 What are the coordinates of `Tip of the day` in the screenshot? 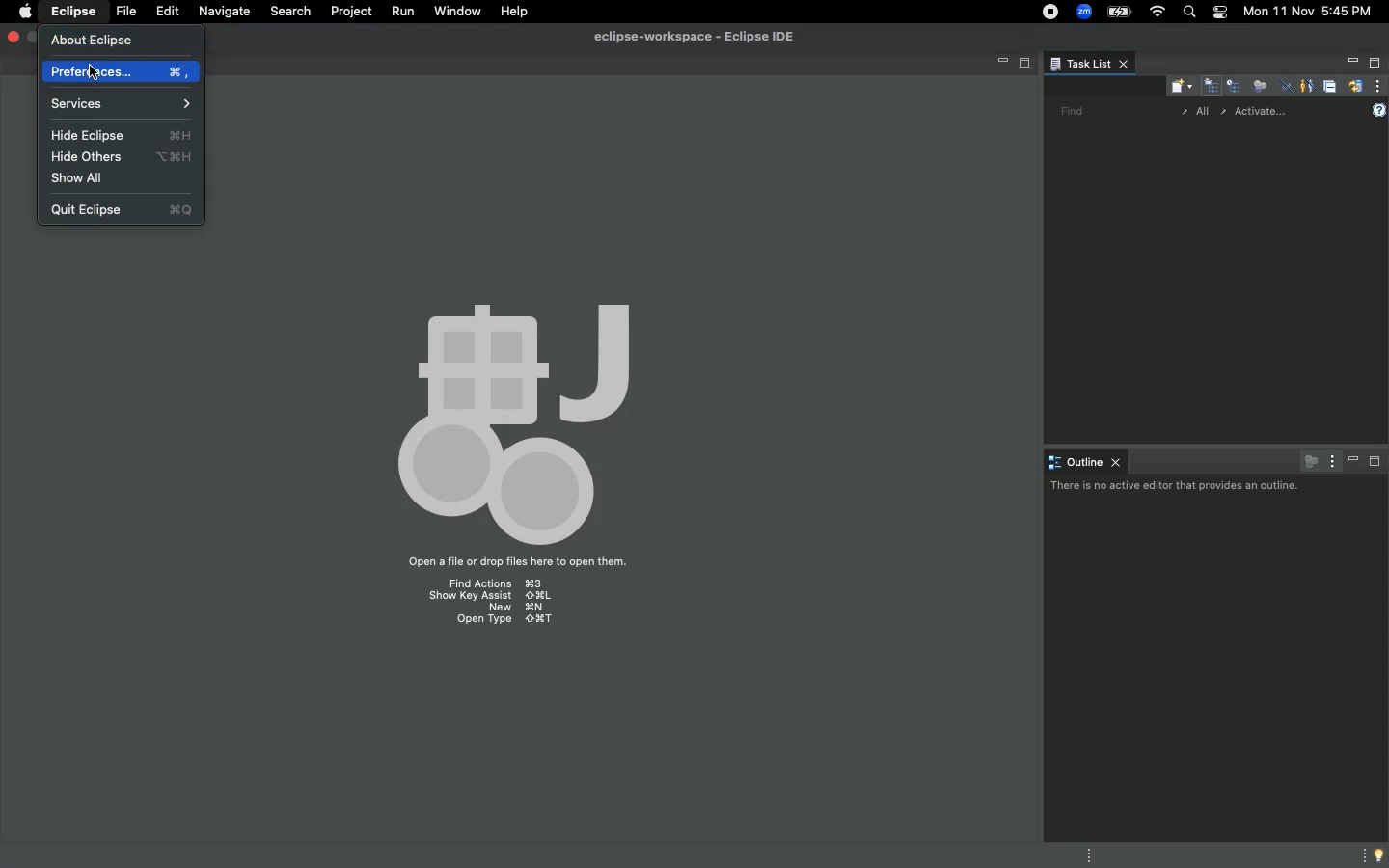 It's located at (1375, 854).